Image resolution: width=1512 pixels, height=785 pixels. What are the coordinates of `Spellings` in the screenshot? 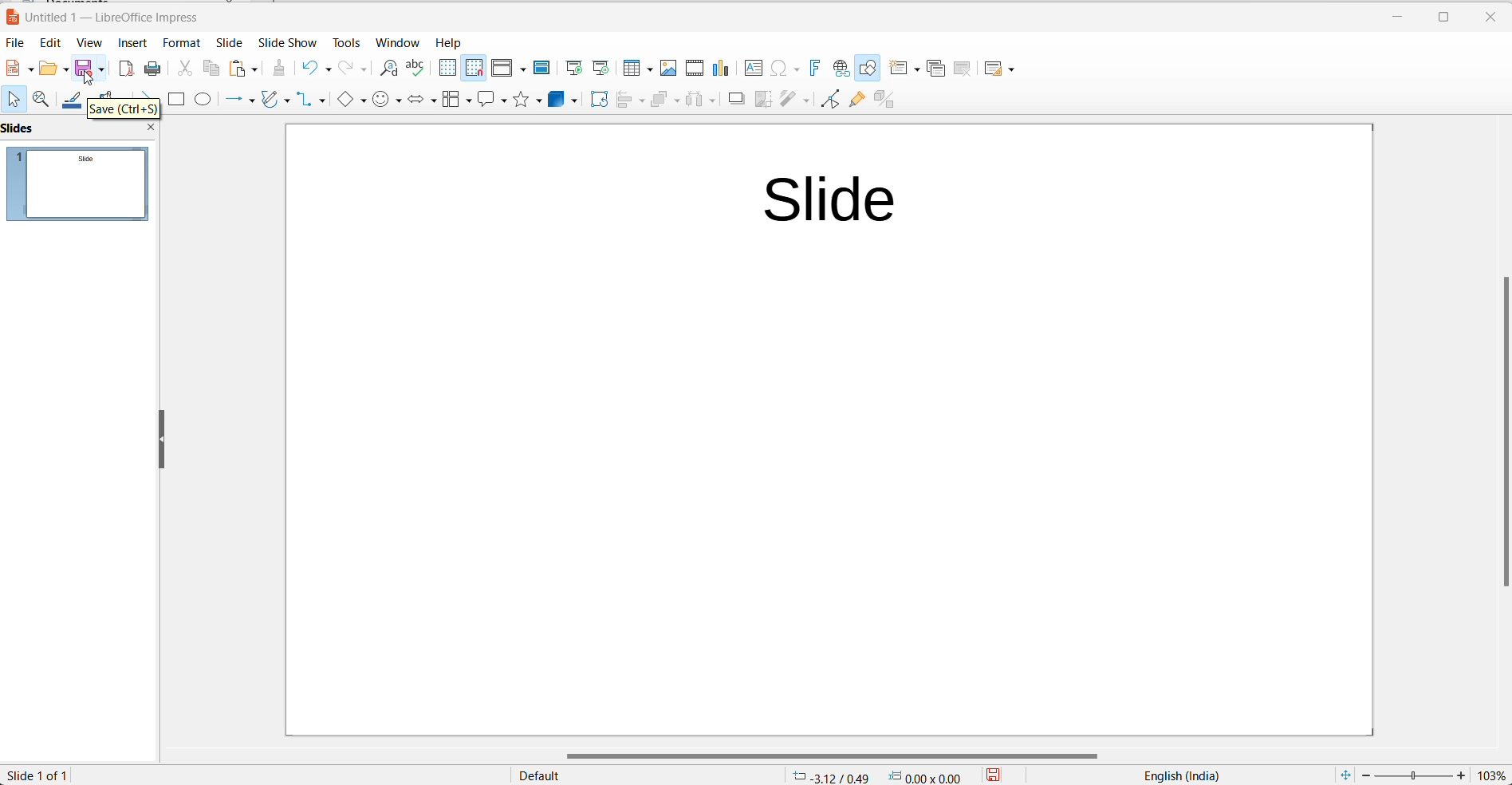 It's located at (412, 69).